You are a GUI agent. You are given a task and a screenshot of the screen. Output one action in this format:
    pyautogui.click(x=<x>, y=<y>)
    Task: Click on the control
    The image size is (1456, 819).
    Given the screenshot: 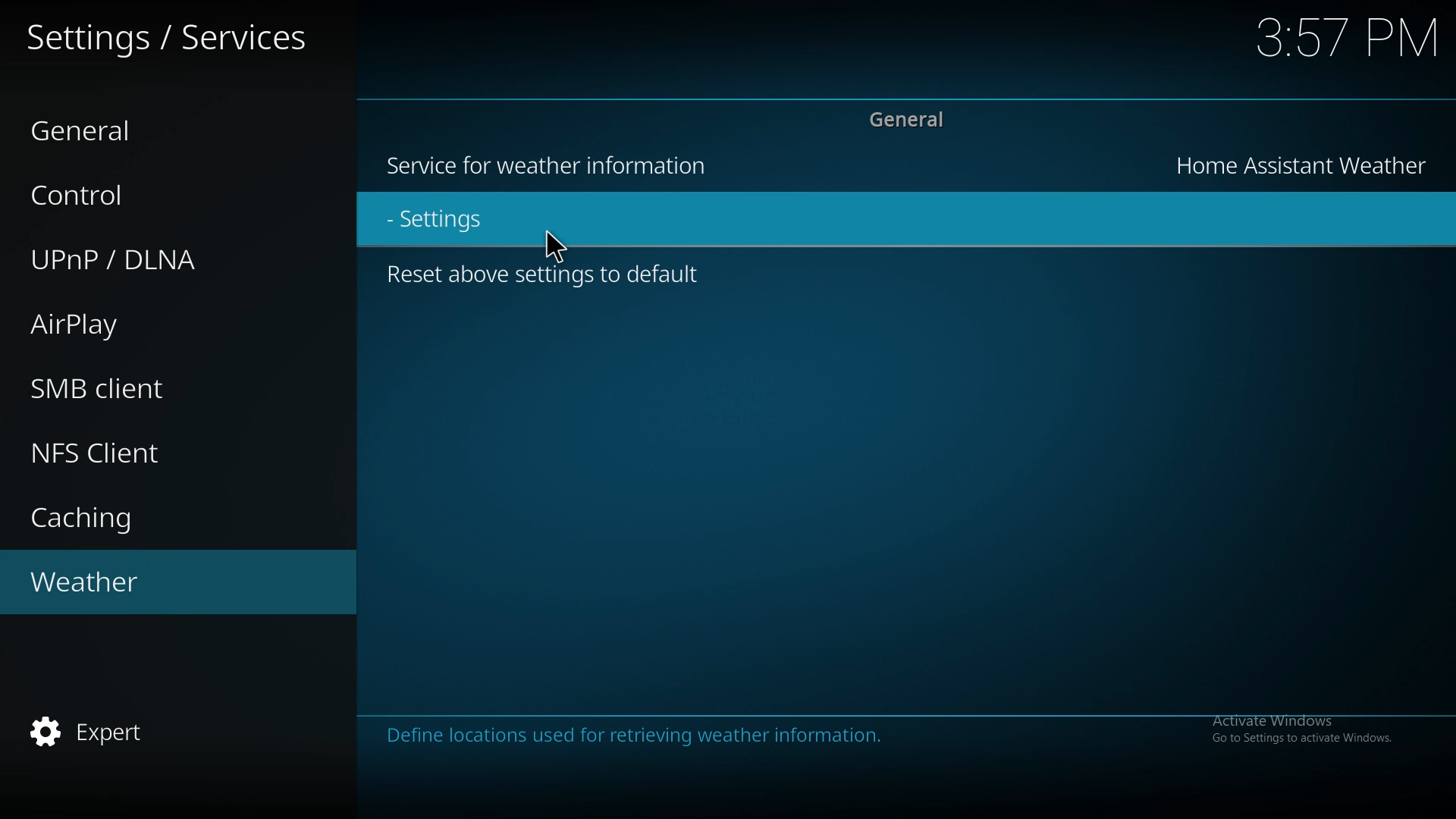 What is the action you would take?
    pyautogui.click(x=143, y=193)
    